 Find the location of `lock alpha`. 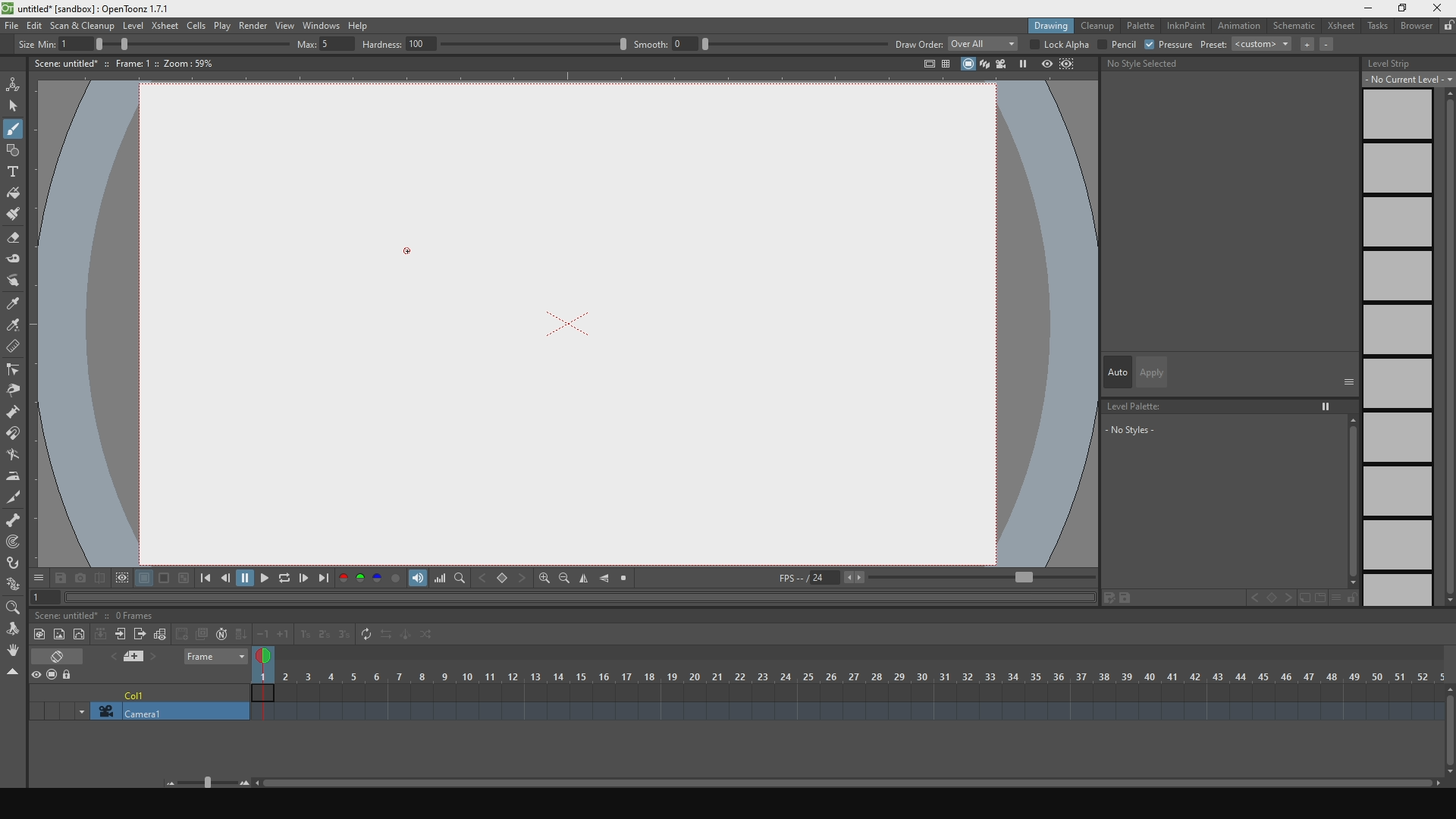

lock alpha is located at coordinates (1059, 45).